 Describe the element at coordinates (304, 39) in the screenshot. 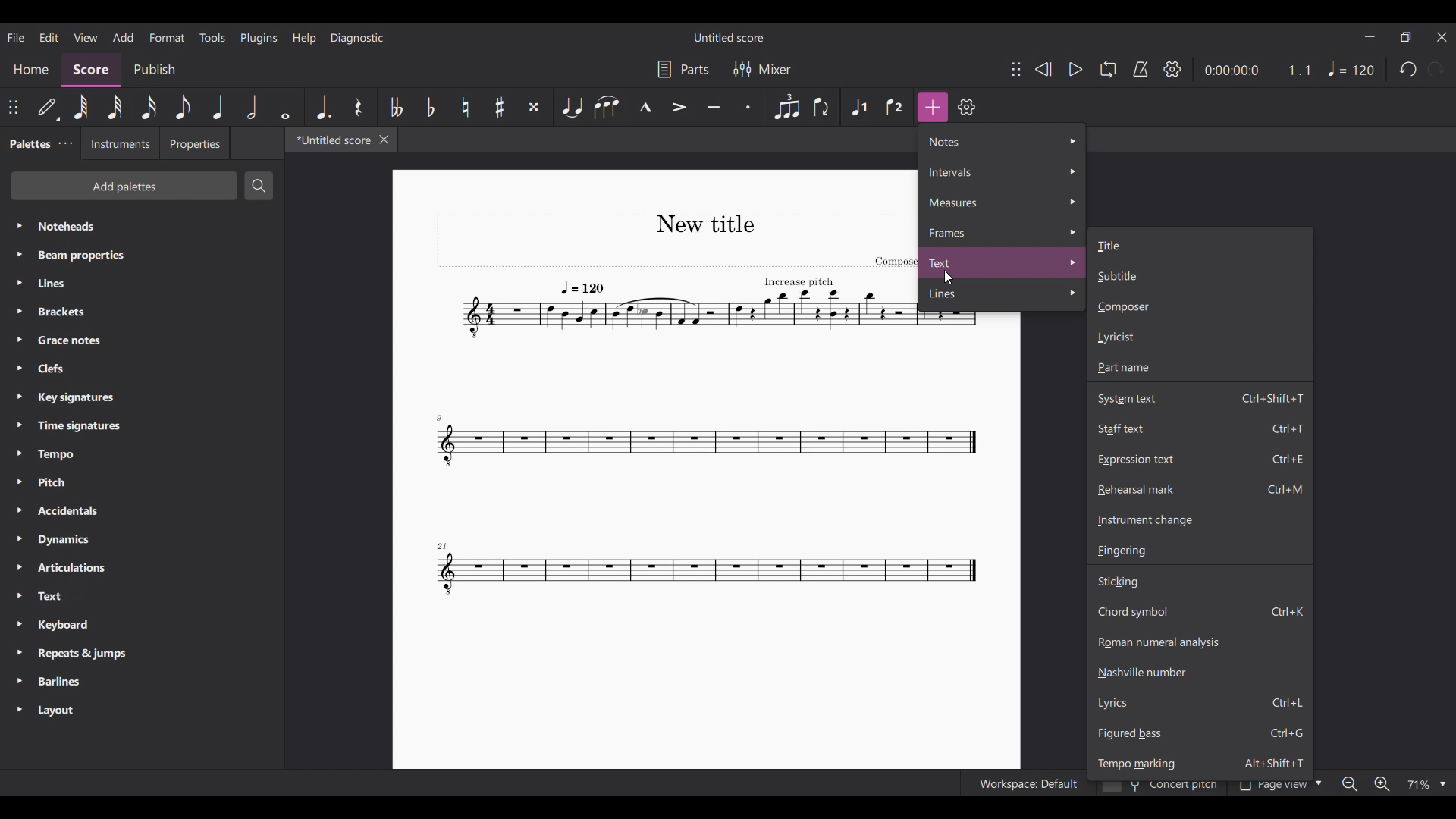

I see `Help menu` at that location.